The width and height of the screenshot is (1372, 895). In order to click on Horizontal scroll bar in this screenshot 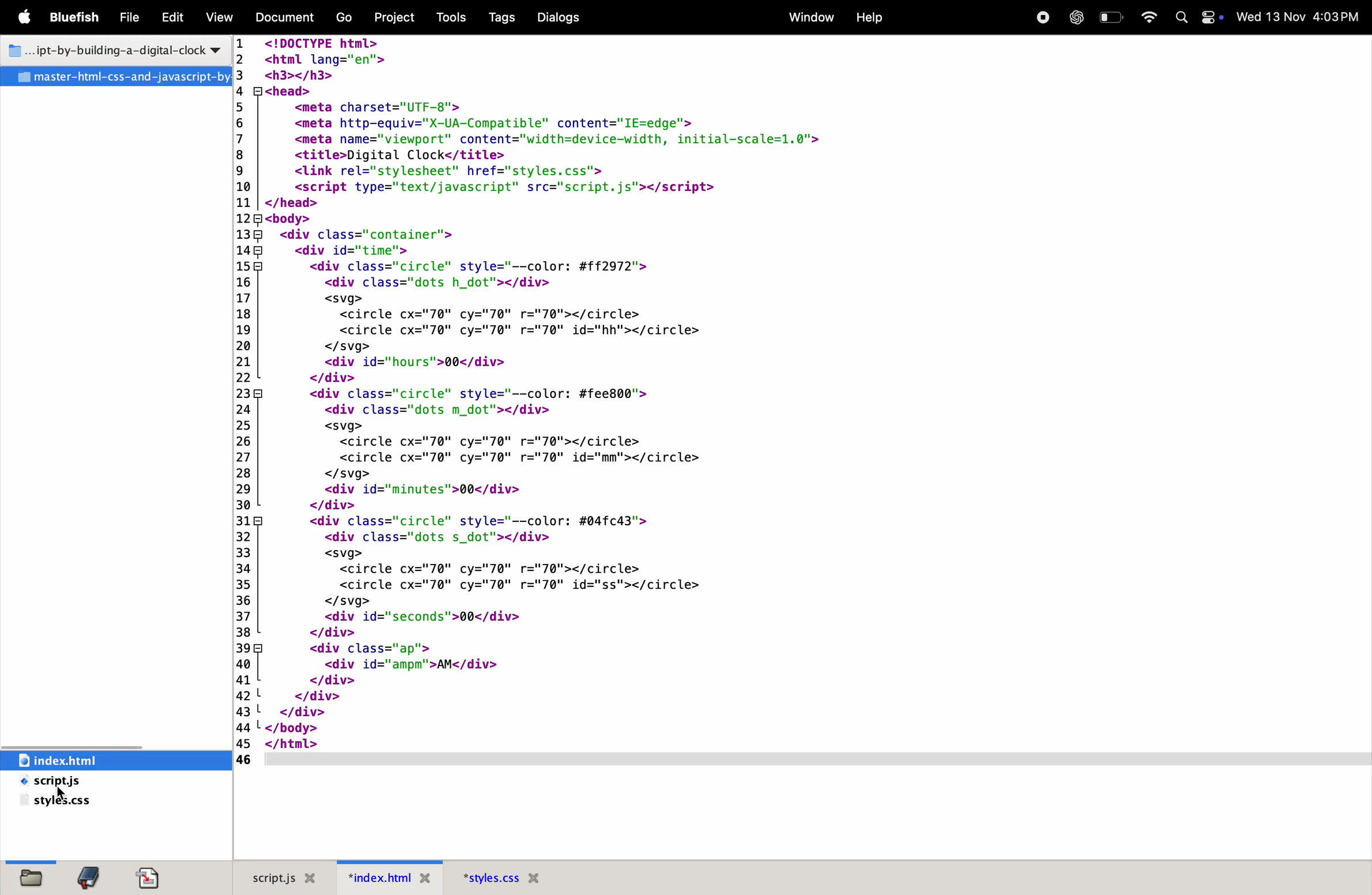, I will do `click(817, 762)`.